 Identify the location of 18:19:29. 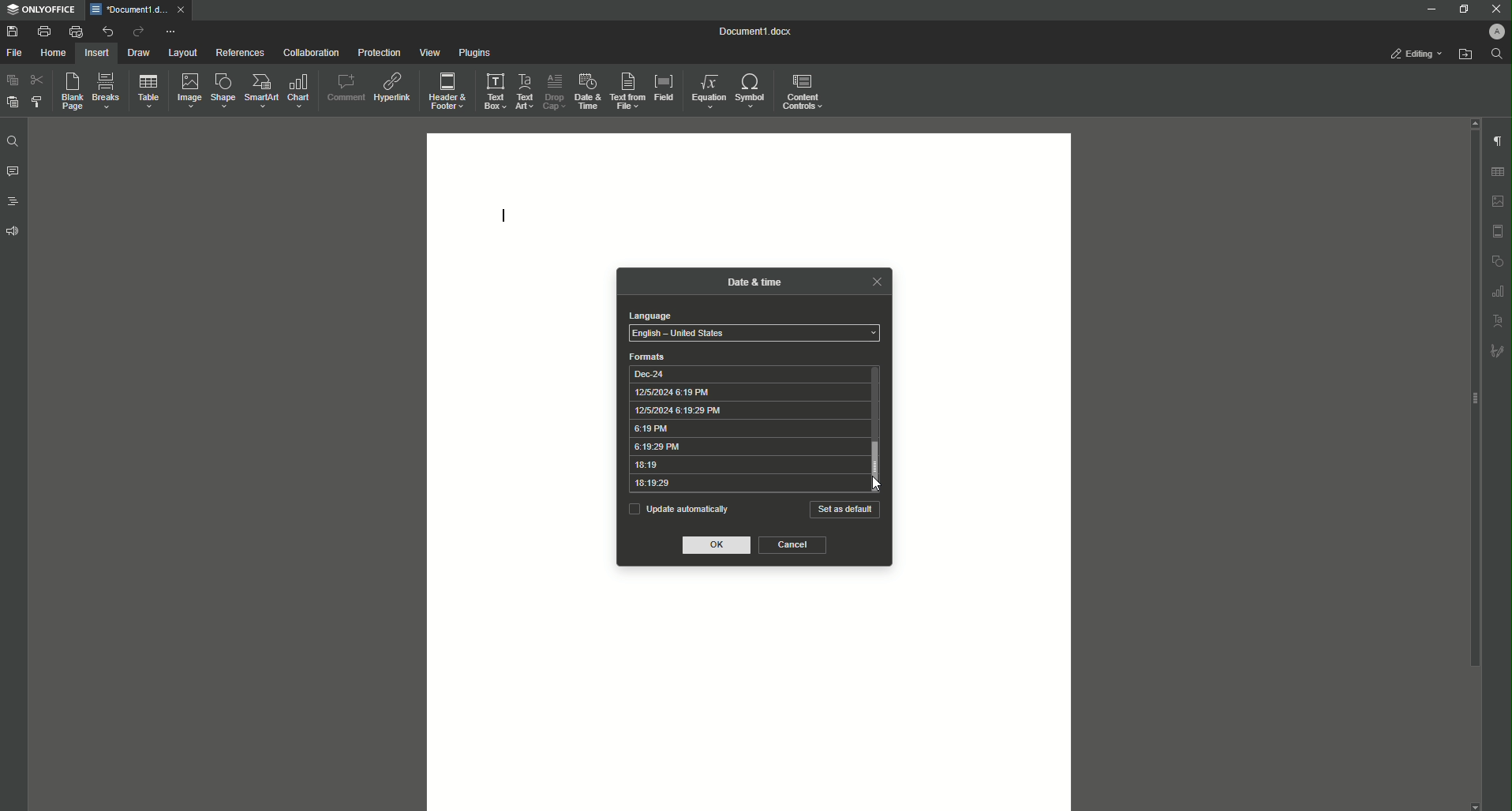
(745, 484).